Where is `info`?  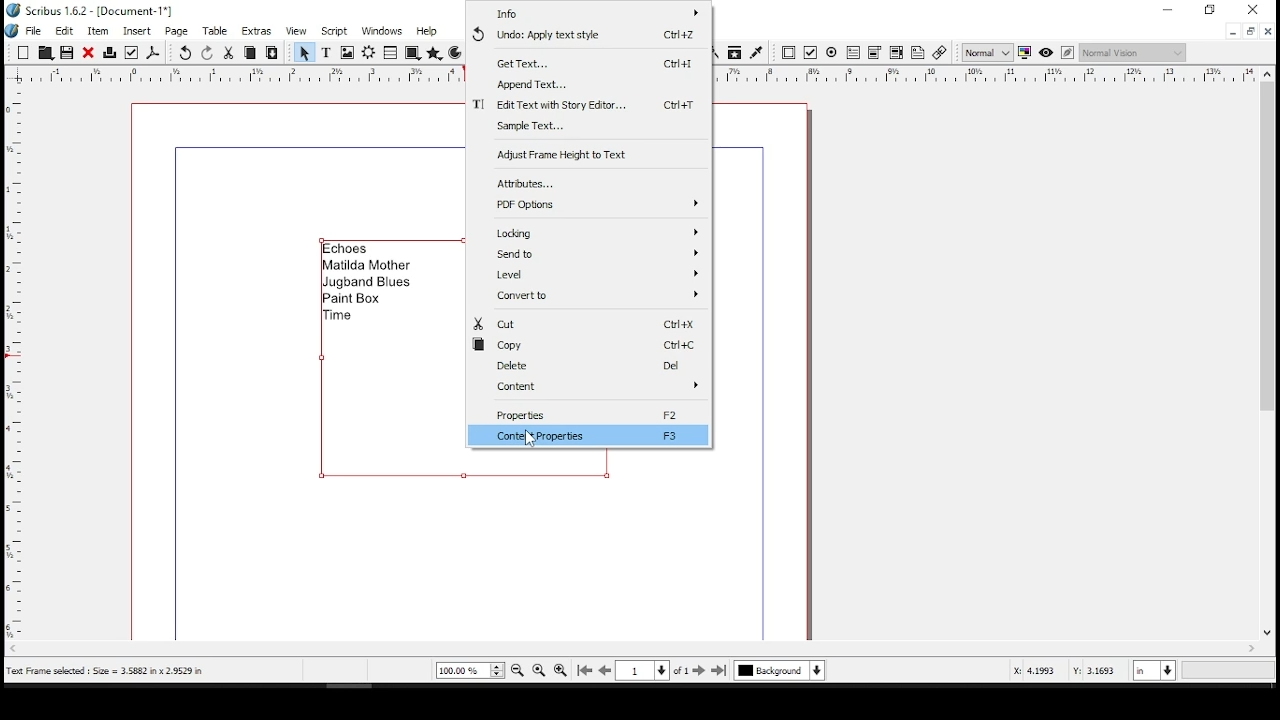
info is located at coordinates (590, 13).